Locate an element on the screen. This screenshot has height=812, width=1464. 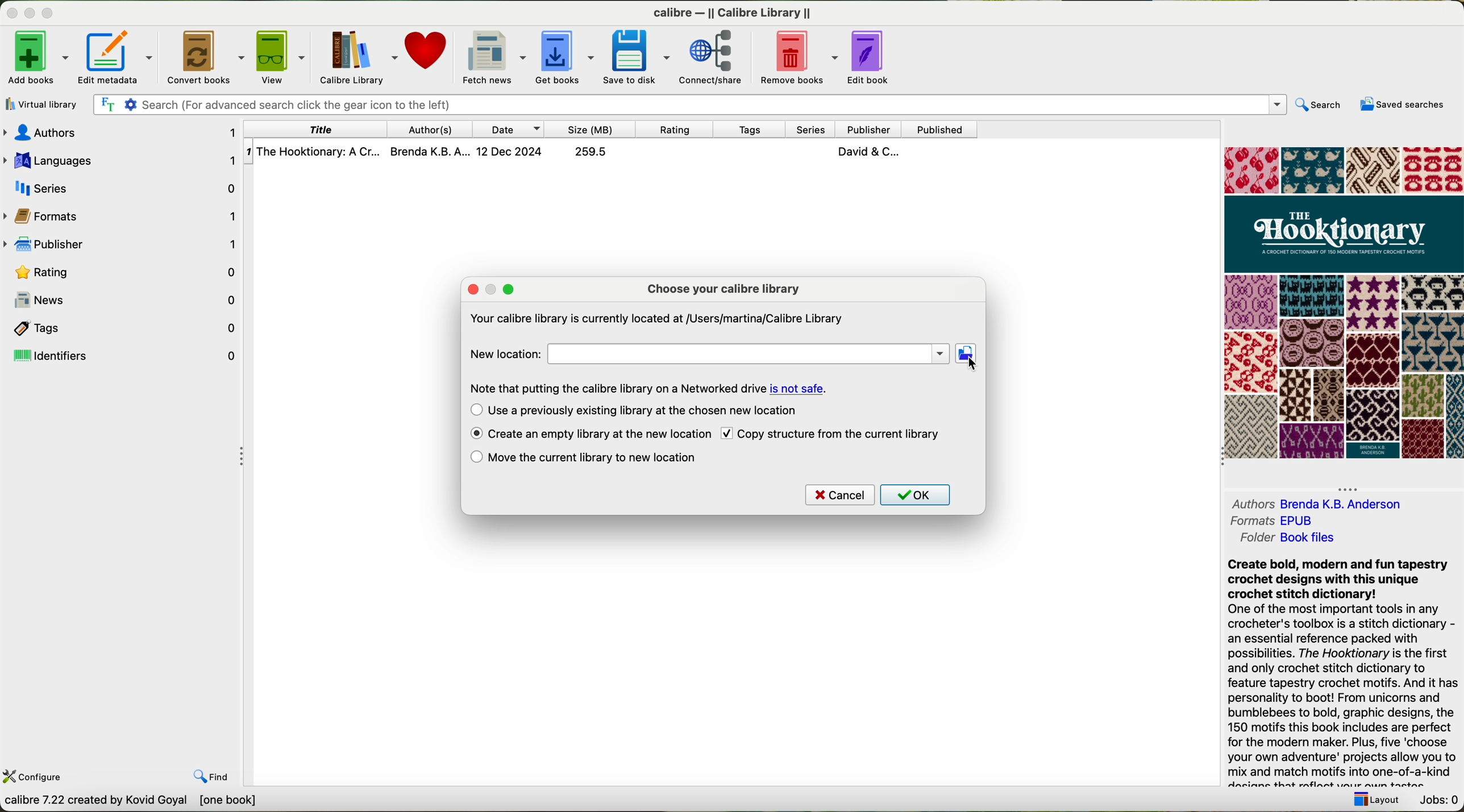
the hokktionary is located at coordinates (576, 152).